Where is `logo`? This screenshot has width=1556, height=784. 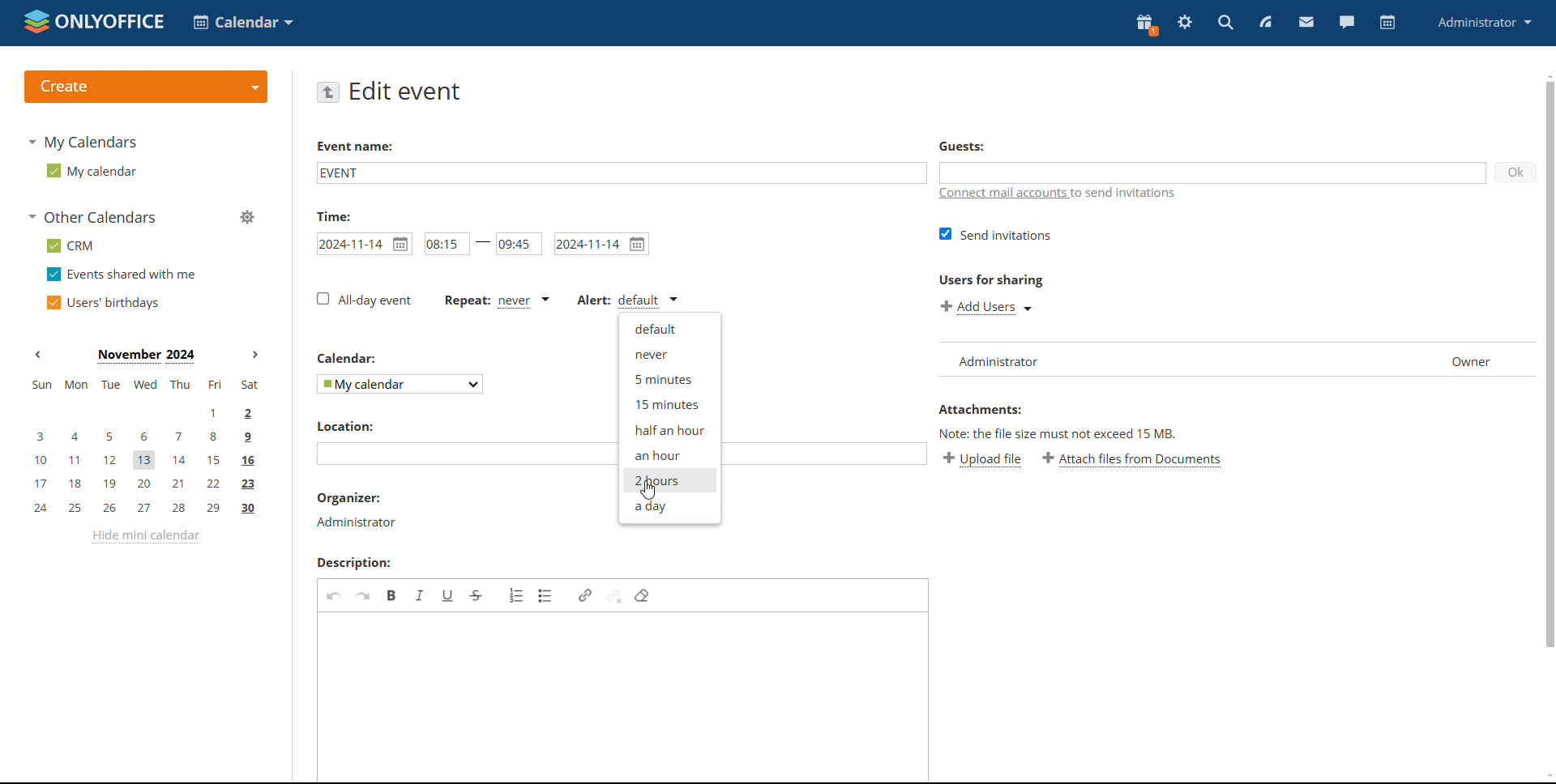
logo is located at coordinates (94, 23).